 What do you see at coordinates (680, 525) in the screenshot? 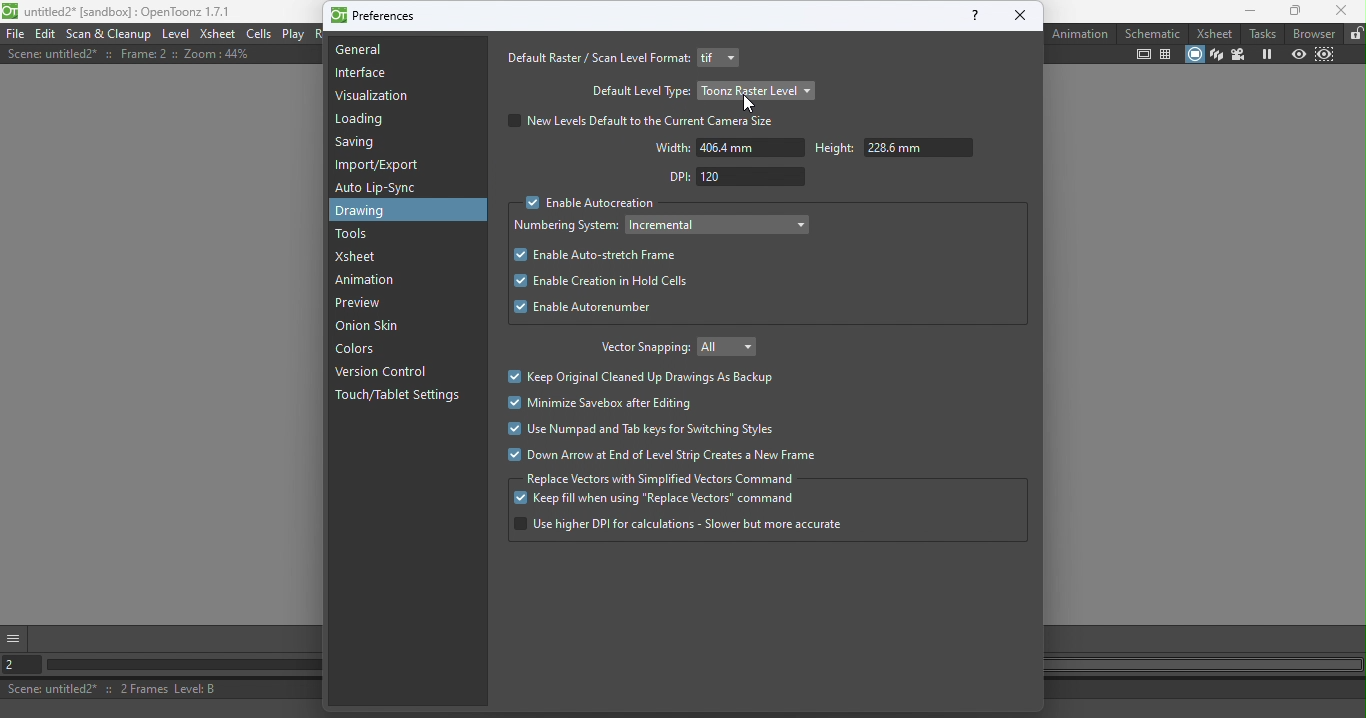
I see `Use higher DPI for calculation - slower but more accurate` at bounding box center [680, 525].